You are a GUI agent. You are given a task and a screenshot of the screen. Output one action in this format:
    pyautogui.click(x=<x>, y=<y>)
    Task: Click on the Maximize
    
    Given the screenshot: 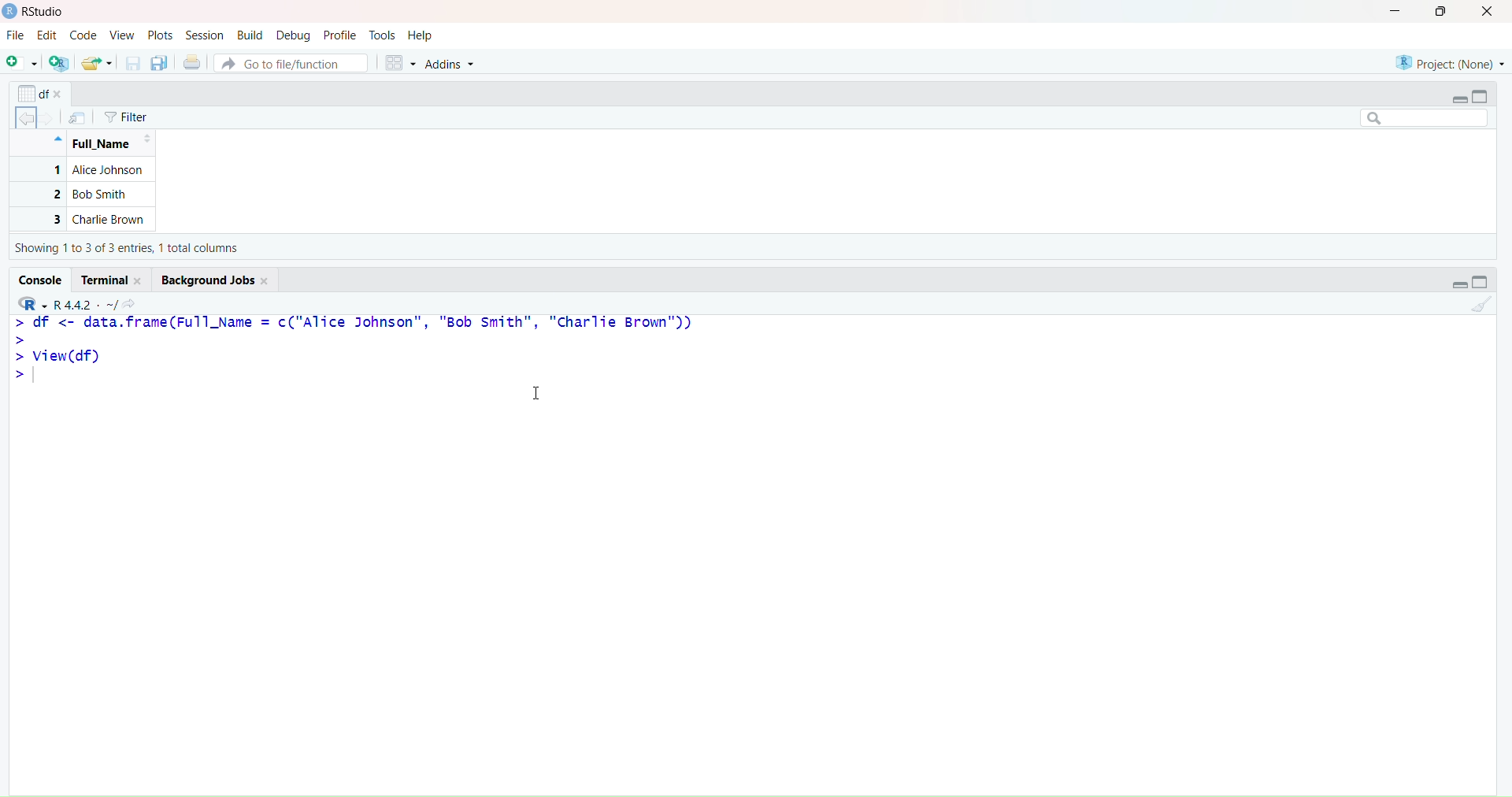 What is the action you would take?
    pyautogui.click(x=1485, y=281)
    